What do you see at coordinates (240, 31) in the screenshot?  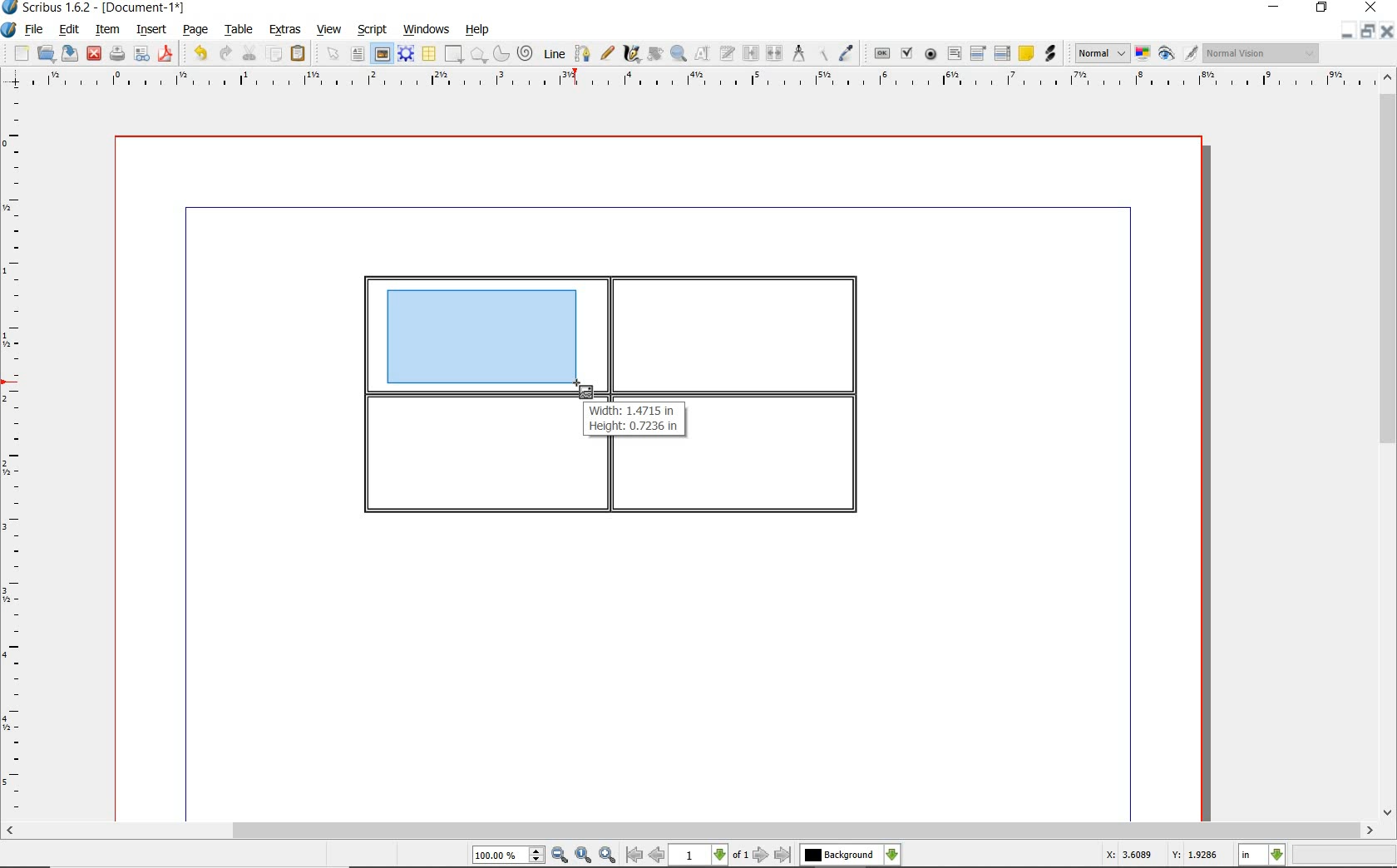 I see `table` at bounding box center [240, 31].